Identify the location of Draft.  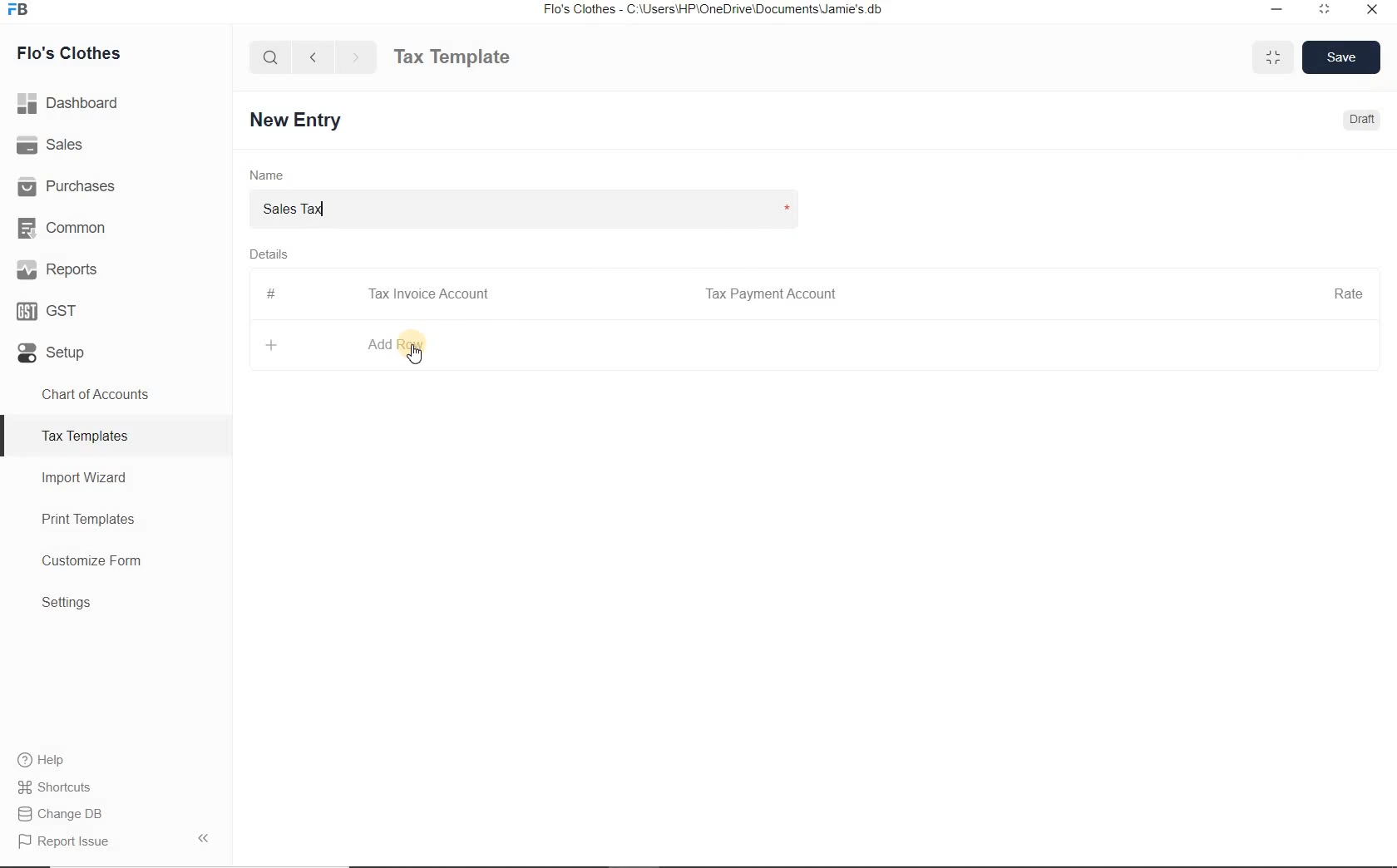
(1364, 119).